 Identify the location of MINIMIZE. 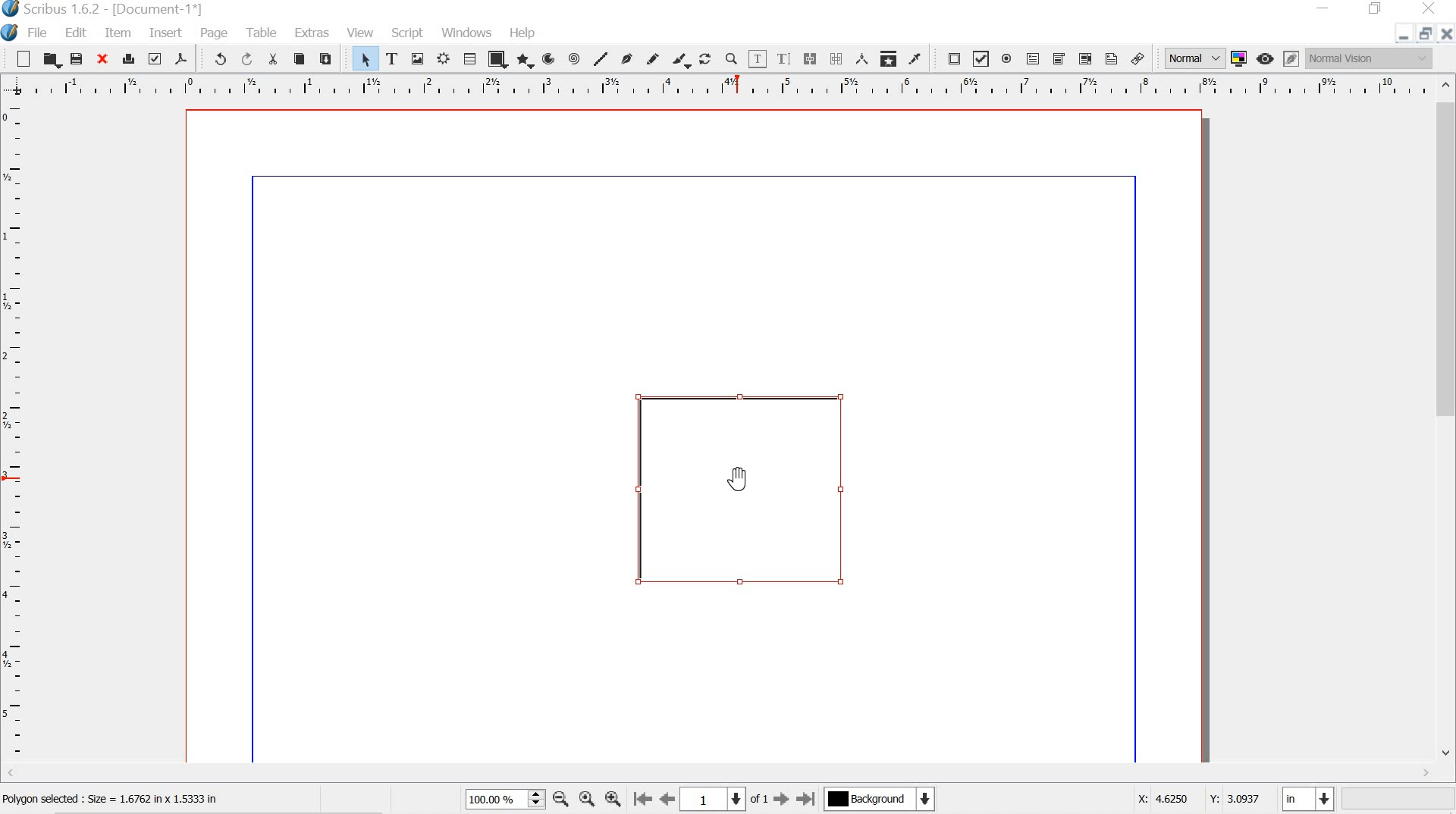
(1398, 39).